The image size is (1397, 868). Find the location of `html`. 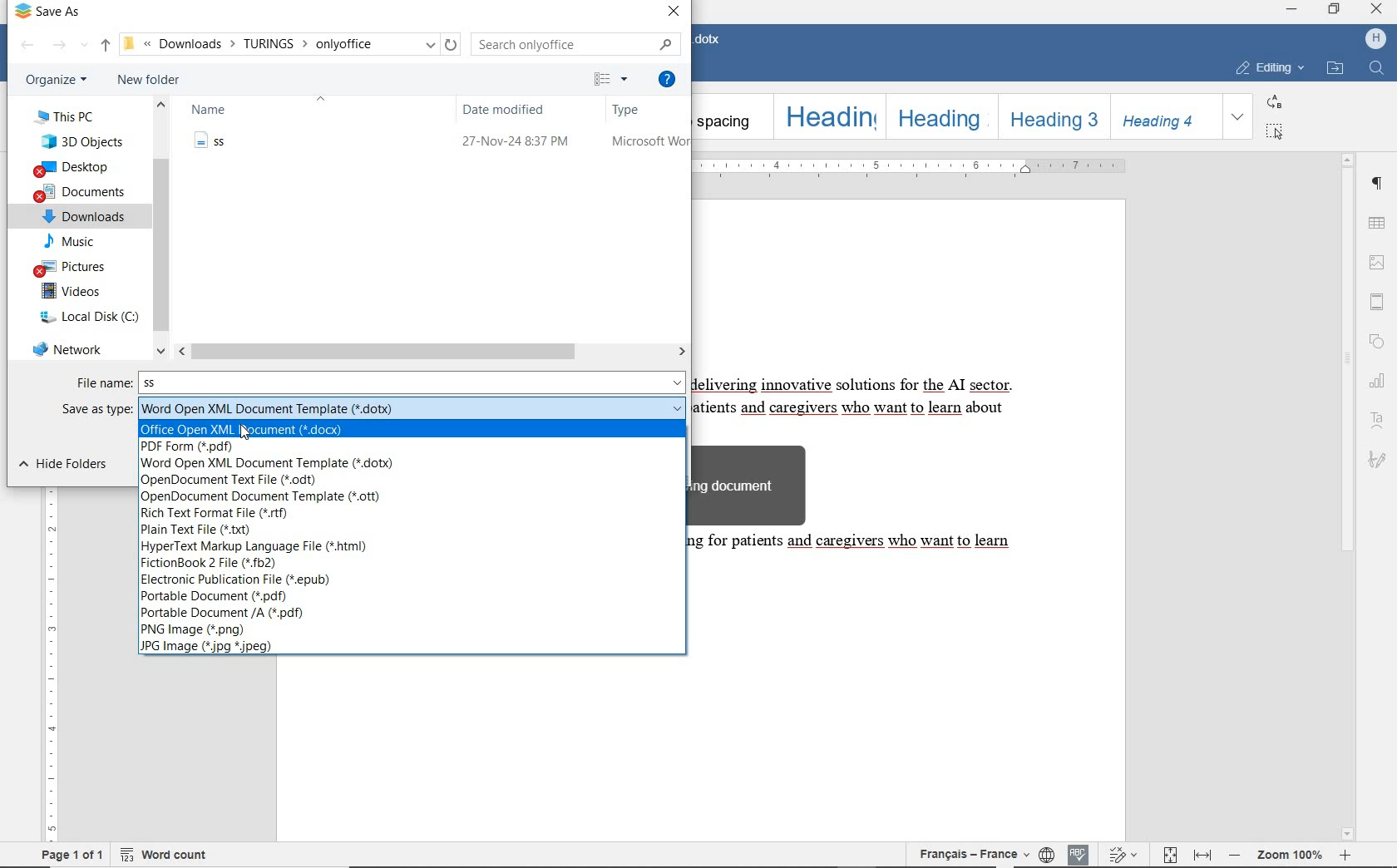

html is located at coordinates (257, 547).